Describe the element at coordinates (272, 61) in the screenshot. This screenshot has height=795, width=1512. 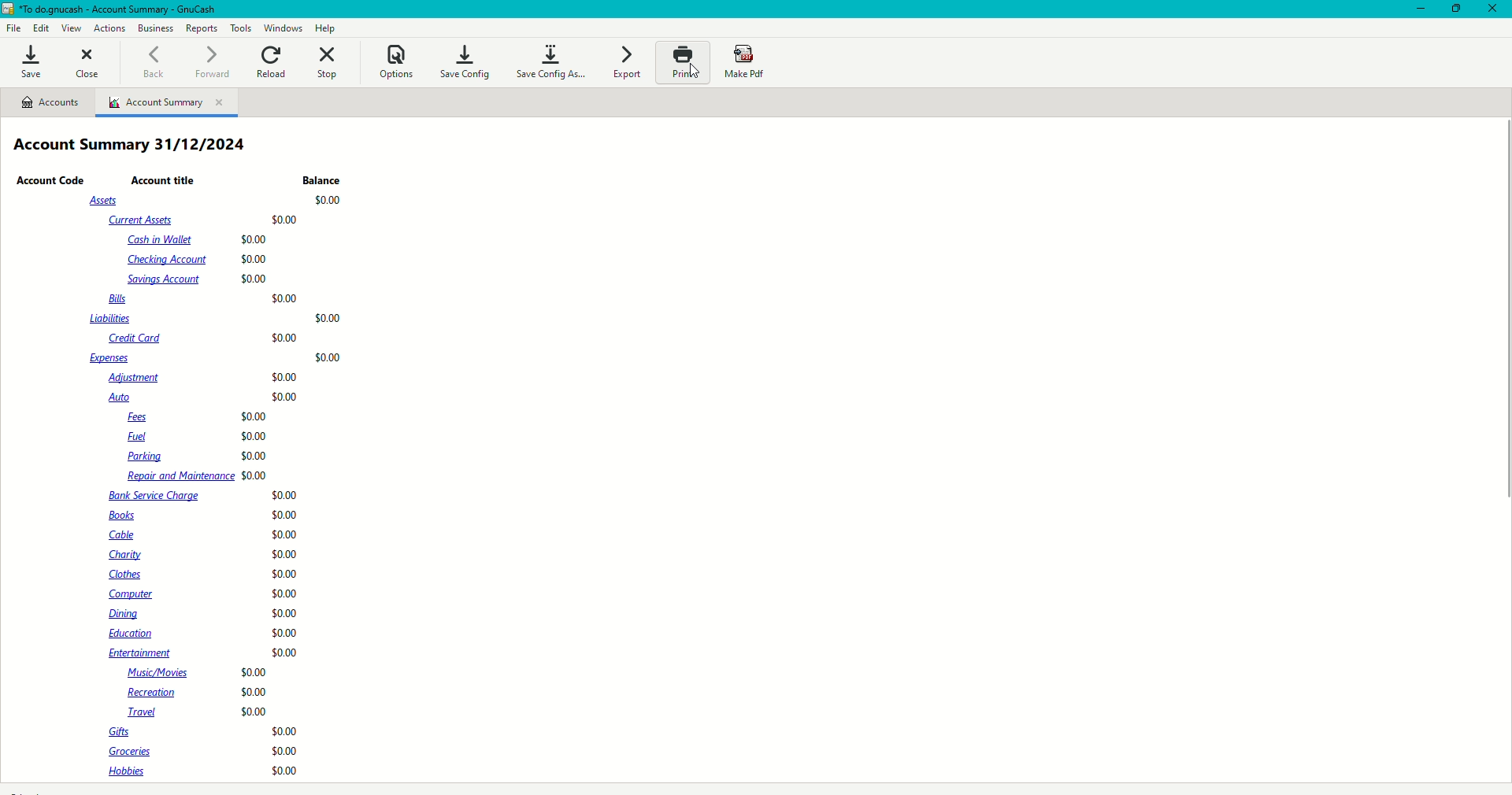
I see `Reload` at that location.